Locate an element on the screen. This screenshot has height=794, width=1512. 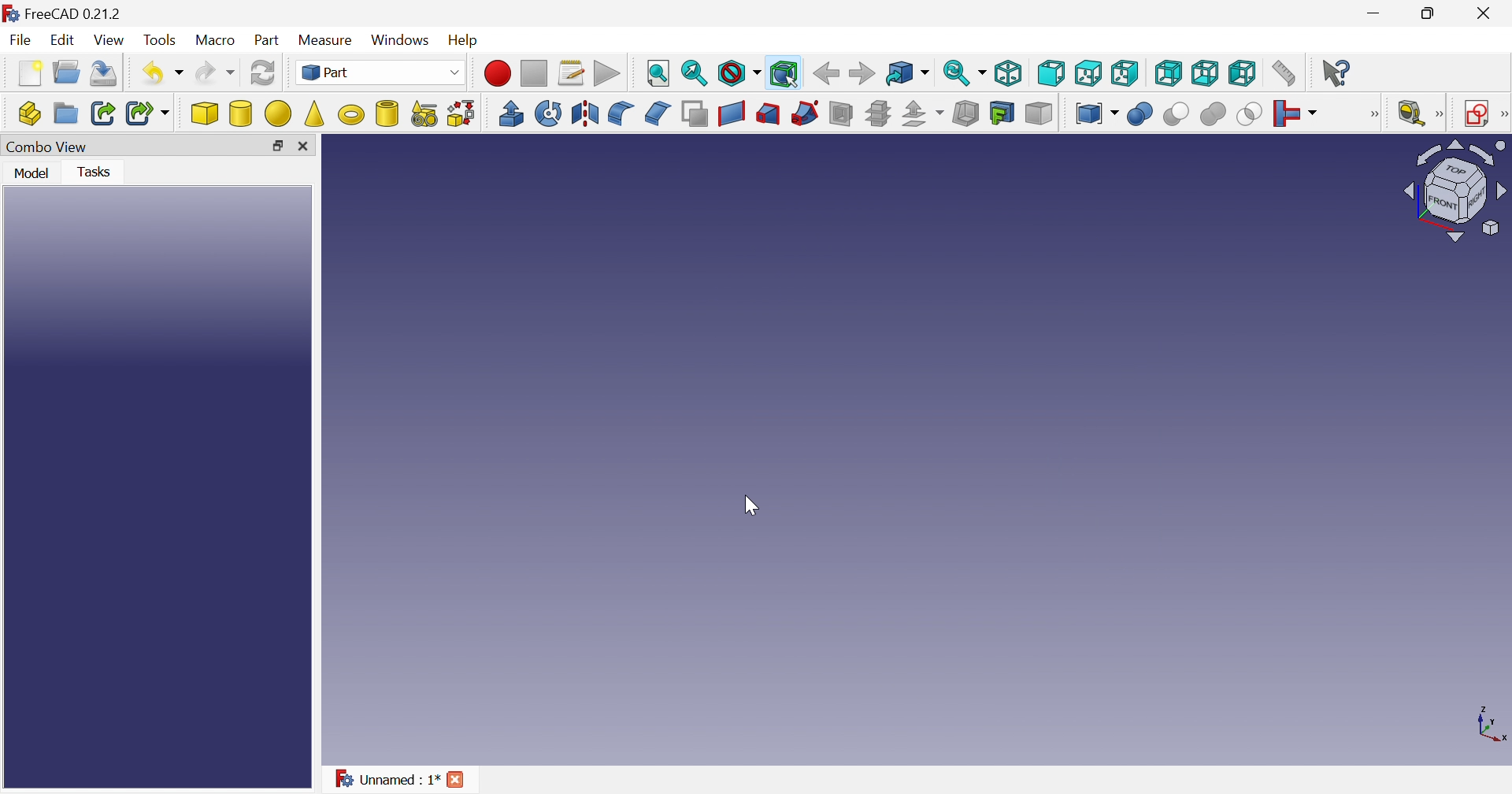
Cut is located at coordinates (1174, 114).